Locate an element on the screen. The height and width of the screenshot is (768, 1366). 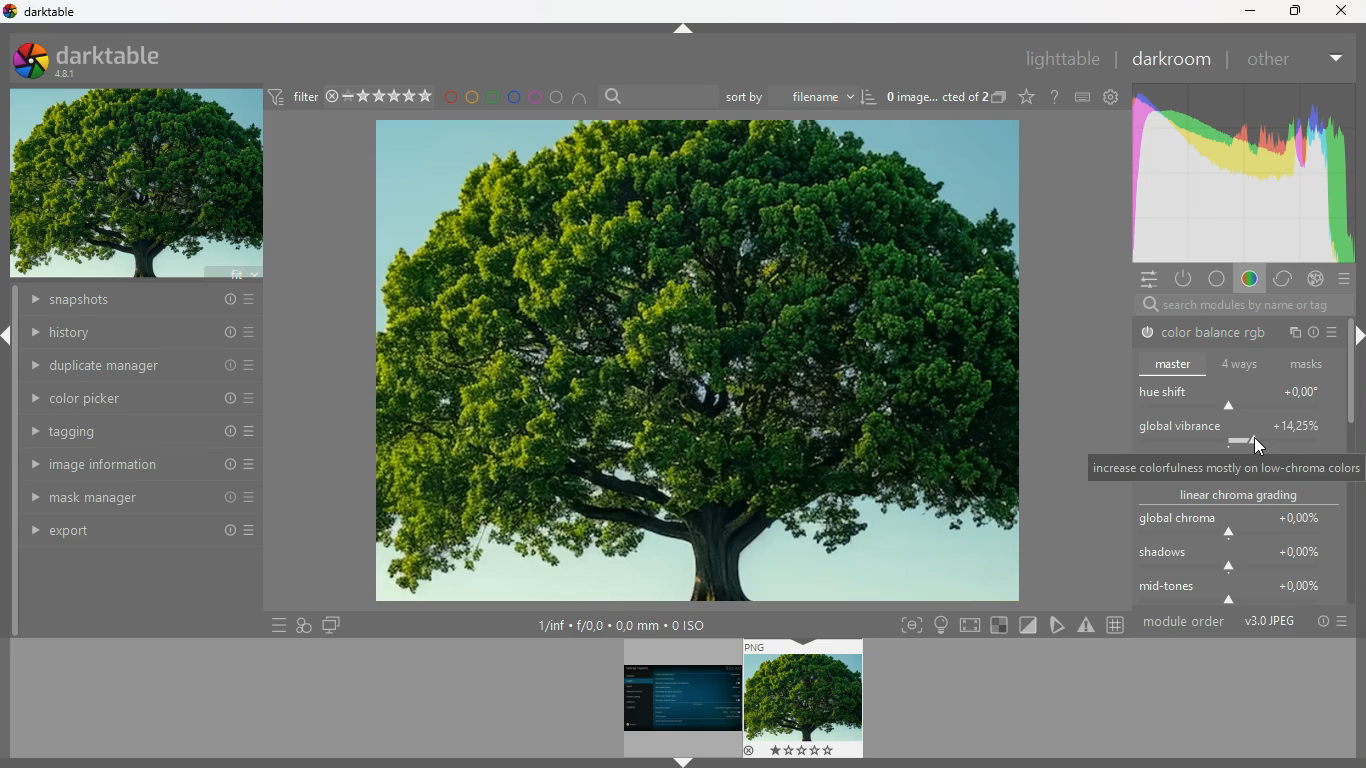
masks is located at coordinates (1309, 364).